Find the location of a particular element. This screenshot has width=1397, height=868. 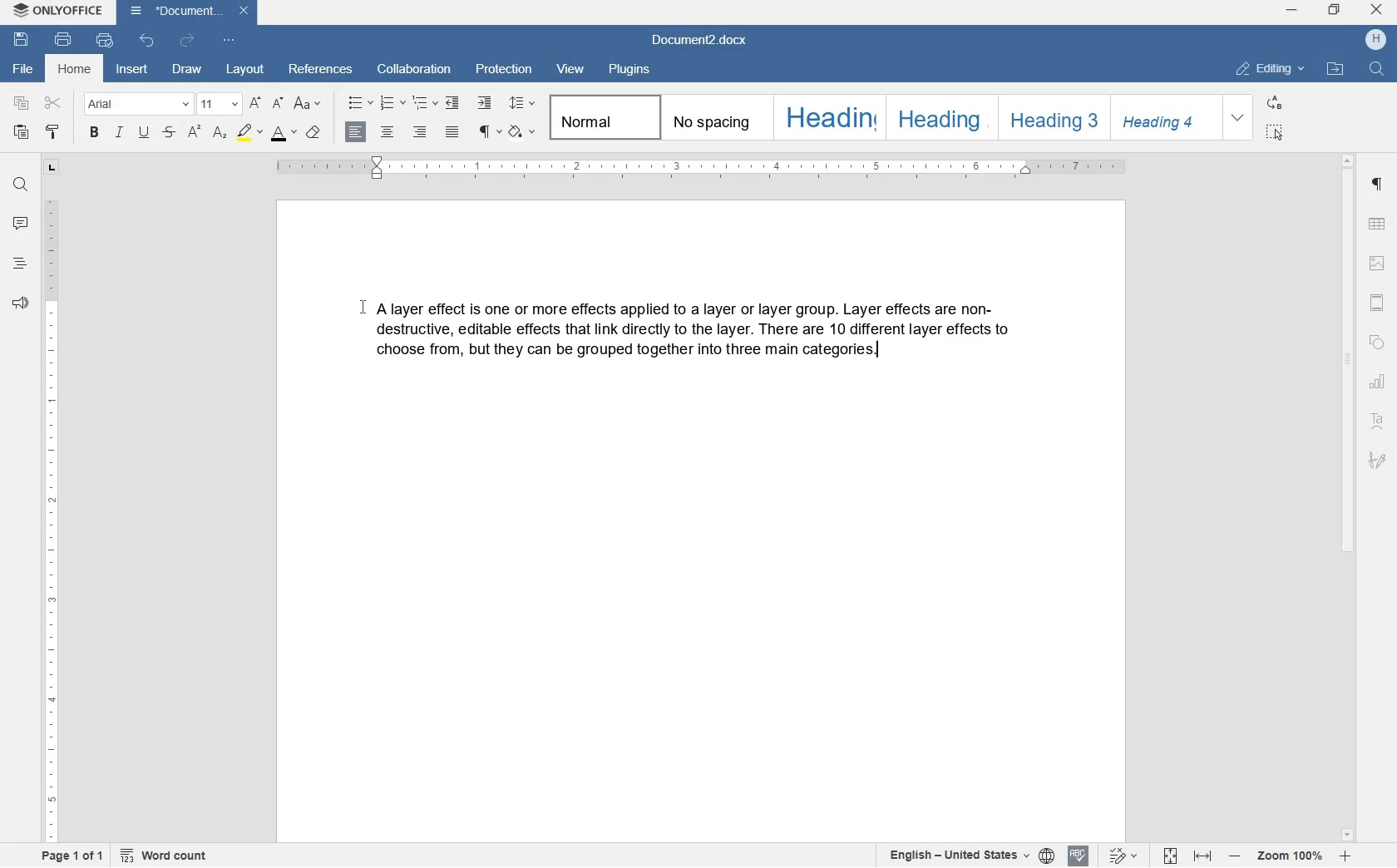

font name is located at coordinates (136, 105).